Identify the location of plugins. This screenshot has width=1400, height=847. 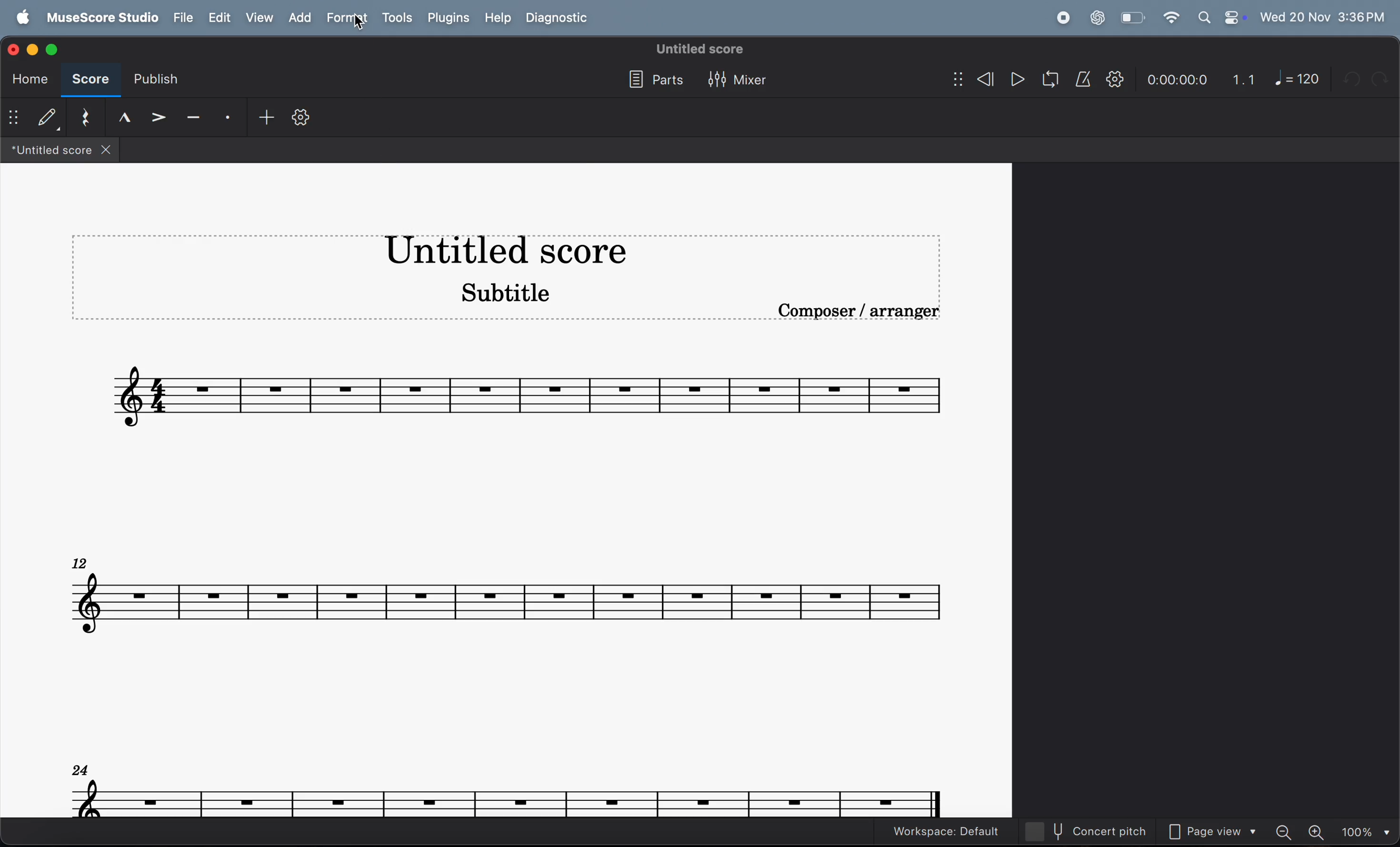
(448, 18).